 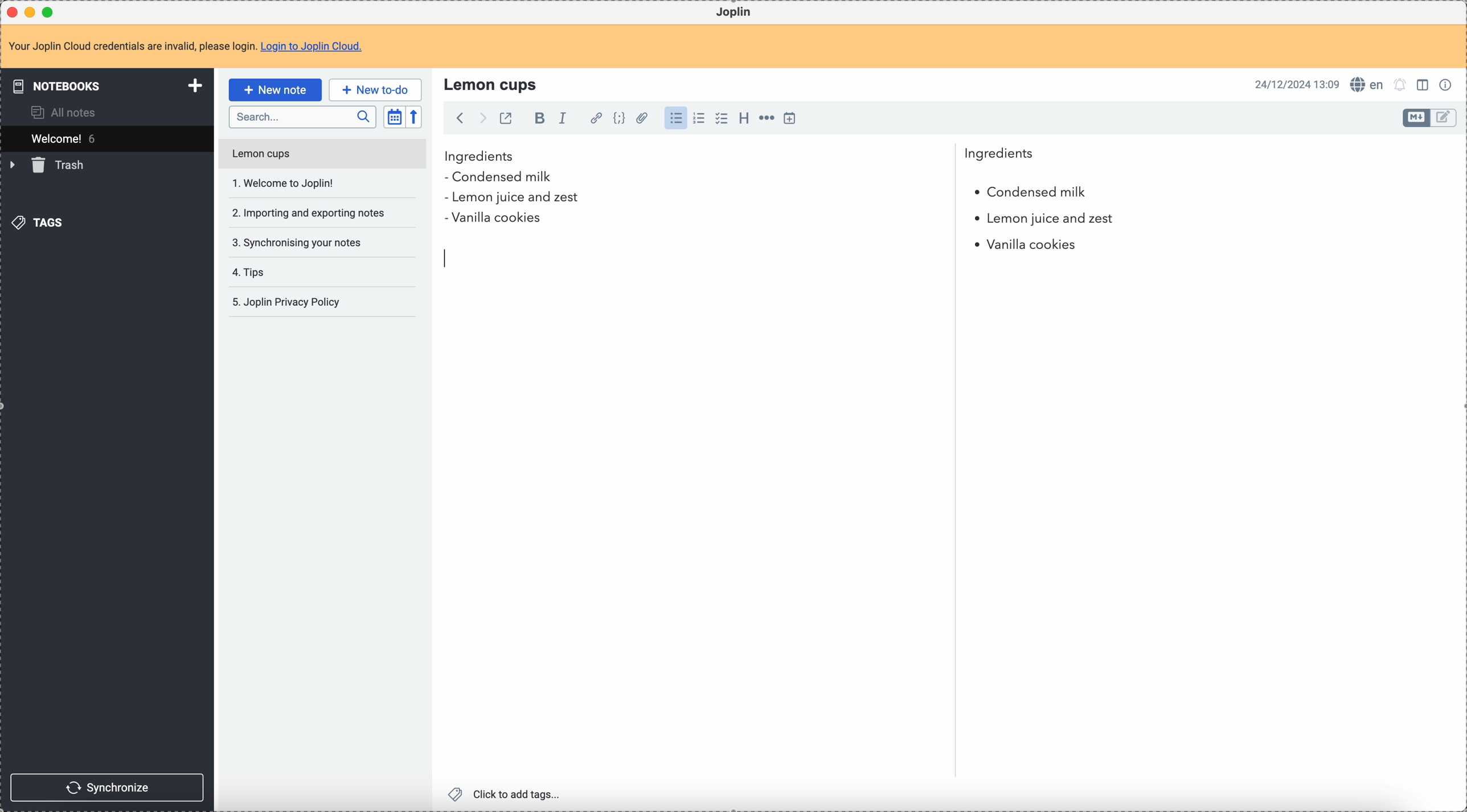 What do you see at coordinates (493, 219) in the screenshot?
I see `vanilla cookies` at bounding box center [493, 219].